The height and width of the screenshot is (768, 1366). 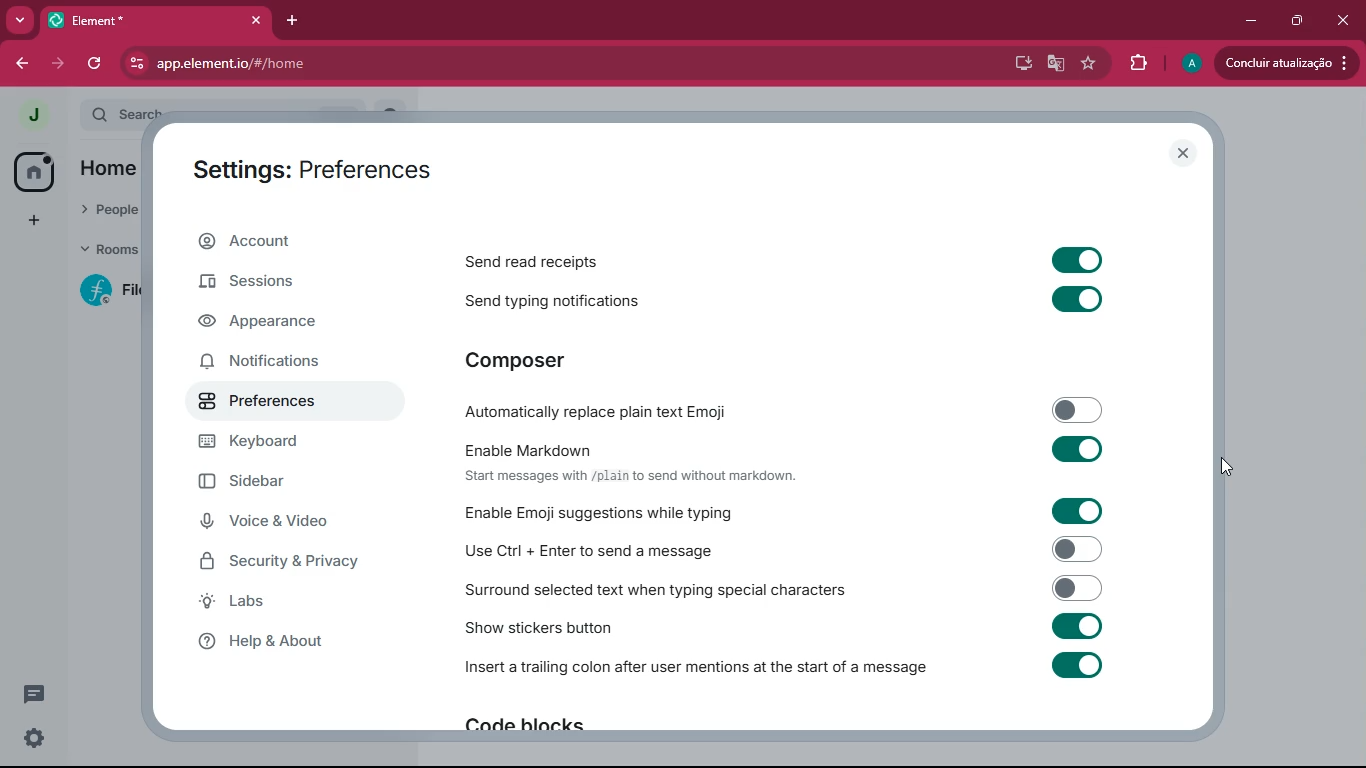 What do you see at coordinates (1249, 19) in the screenshot?
I see `minimize` at bounding box center [1249, 19].